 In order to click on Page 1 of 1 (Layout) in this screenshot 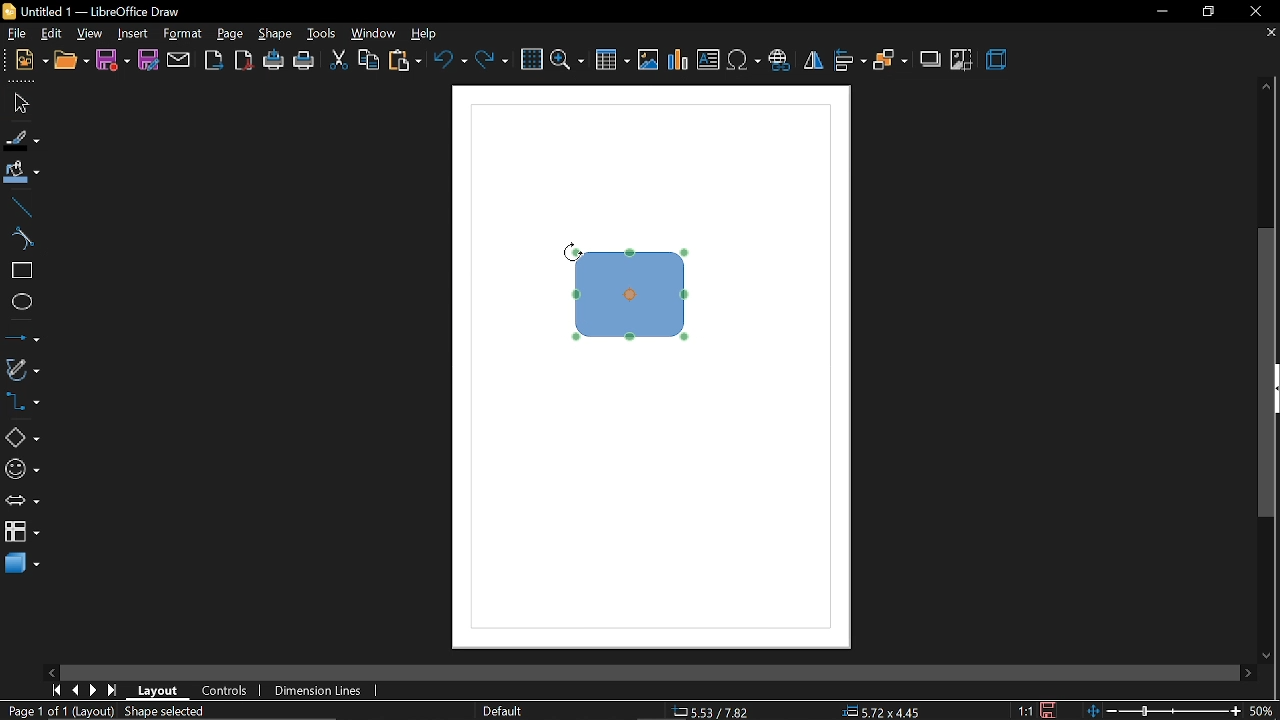, I will do `click(66, 712)`.